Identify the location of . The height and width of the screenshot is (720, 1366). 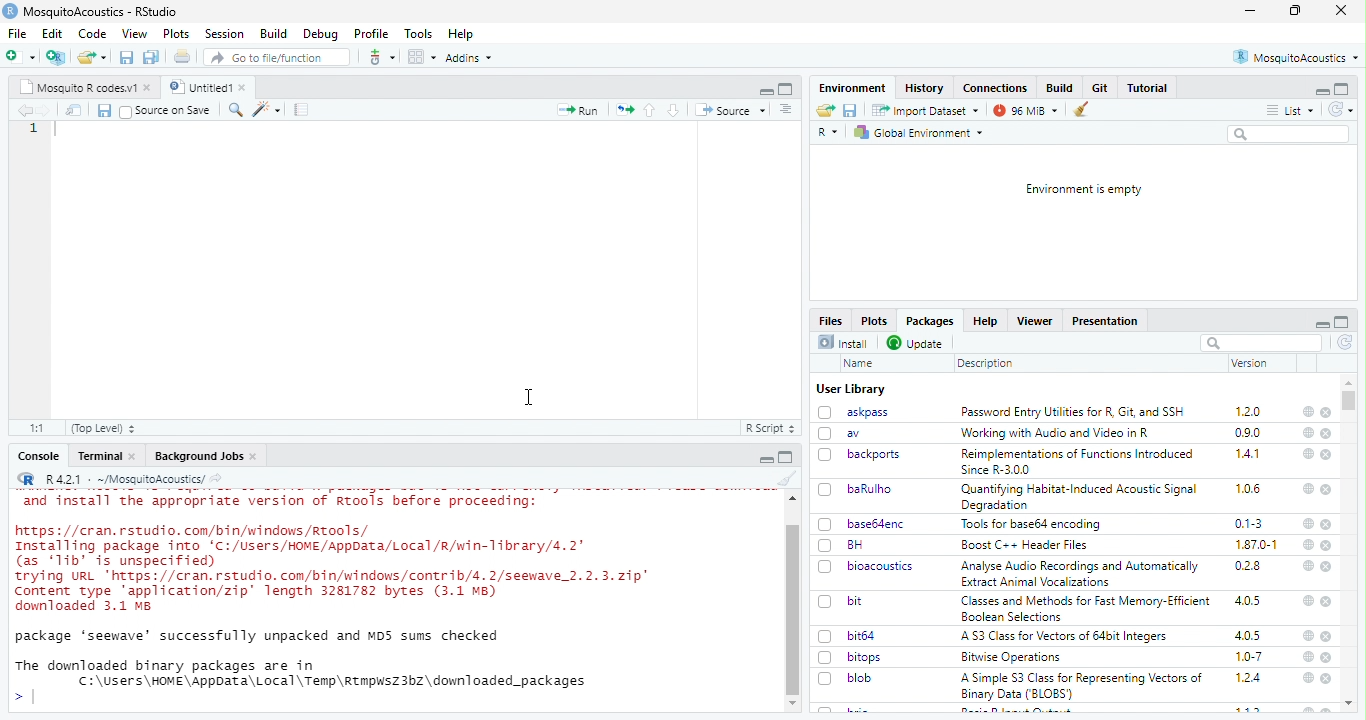
(794, 497).